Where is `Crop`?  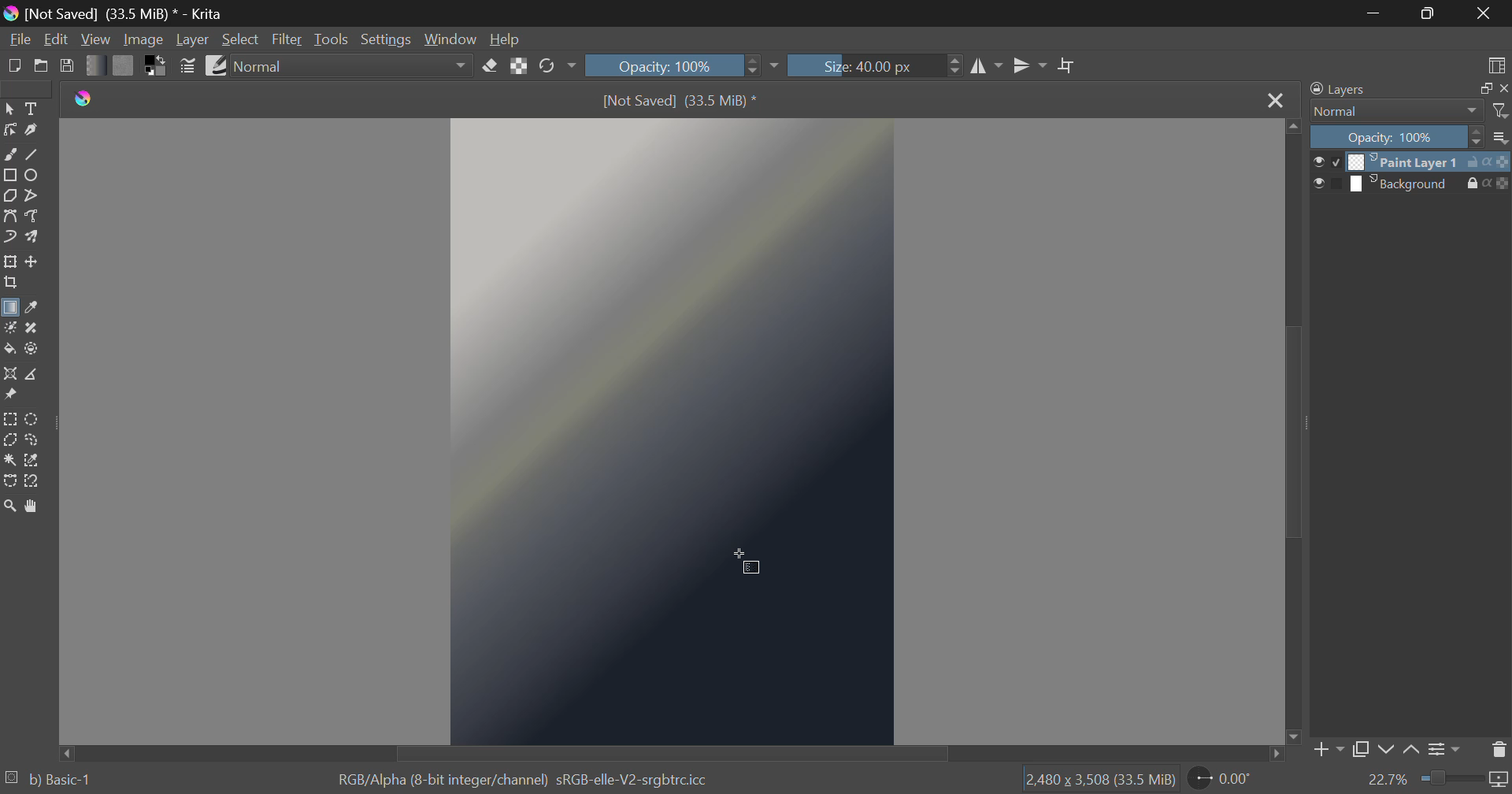 Crop is located at coordinates (1067, 66).